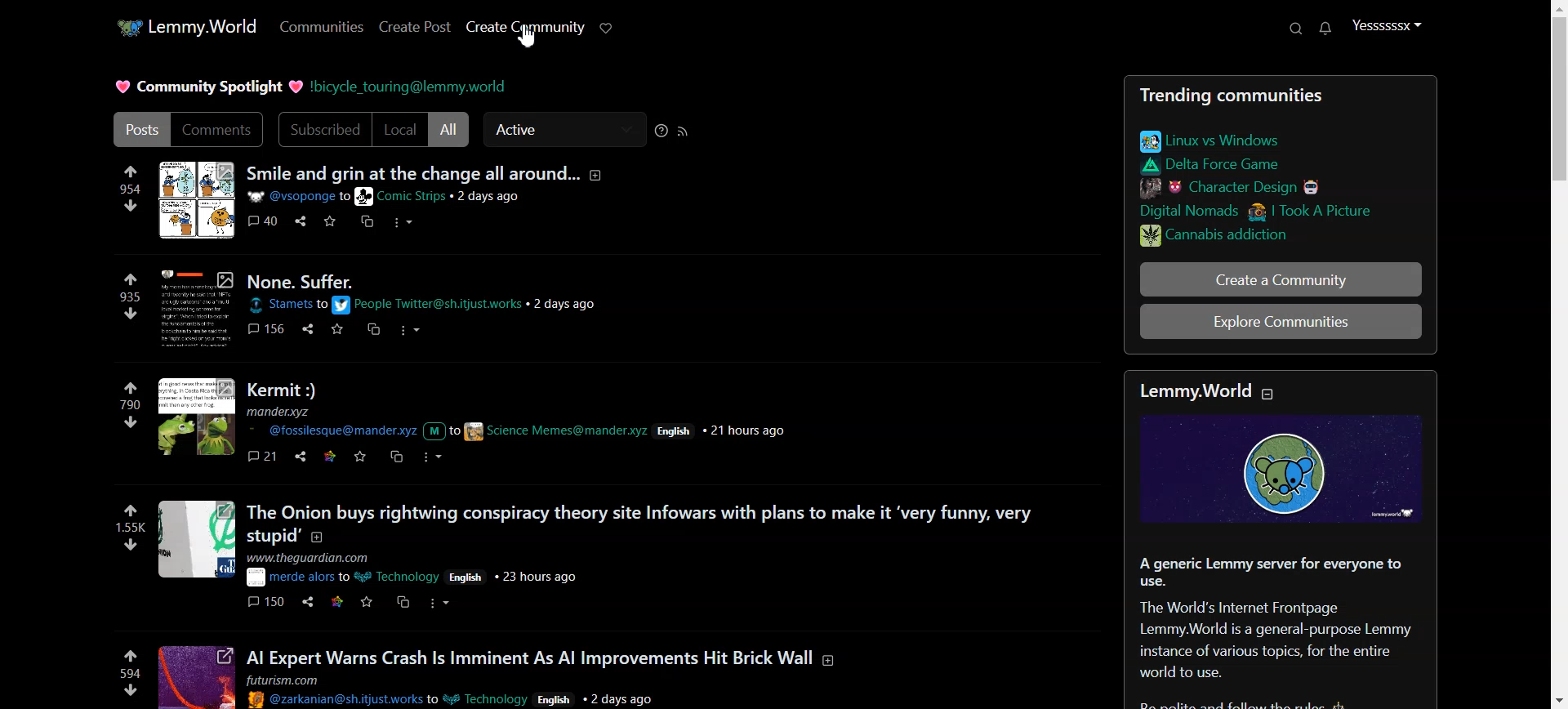 The image size is (1568, 709). I want to click on Search, so click(1298, 28).